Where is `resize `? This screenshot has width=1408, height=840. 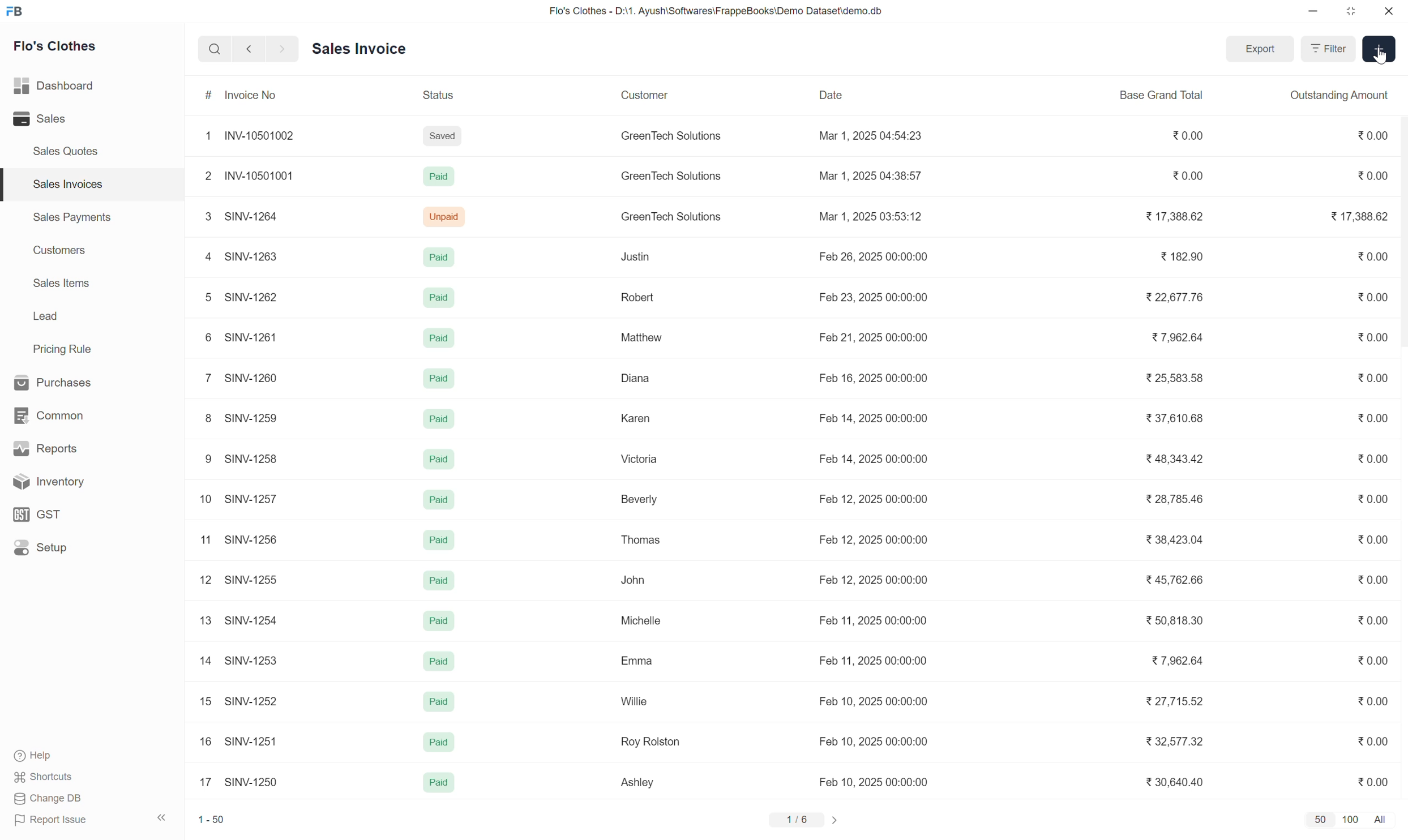 resize  is located at coordinates (1355, 14).